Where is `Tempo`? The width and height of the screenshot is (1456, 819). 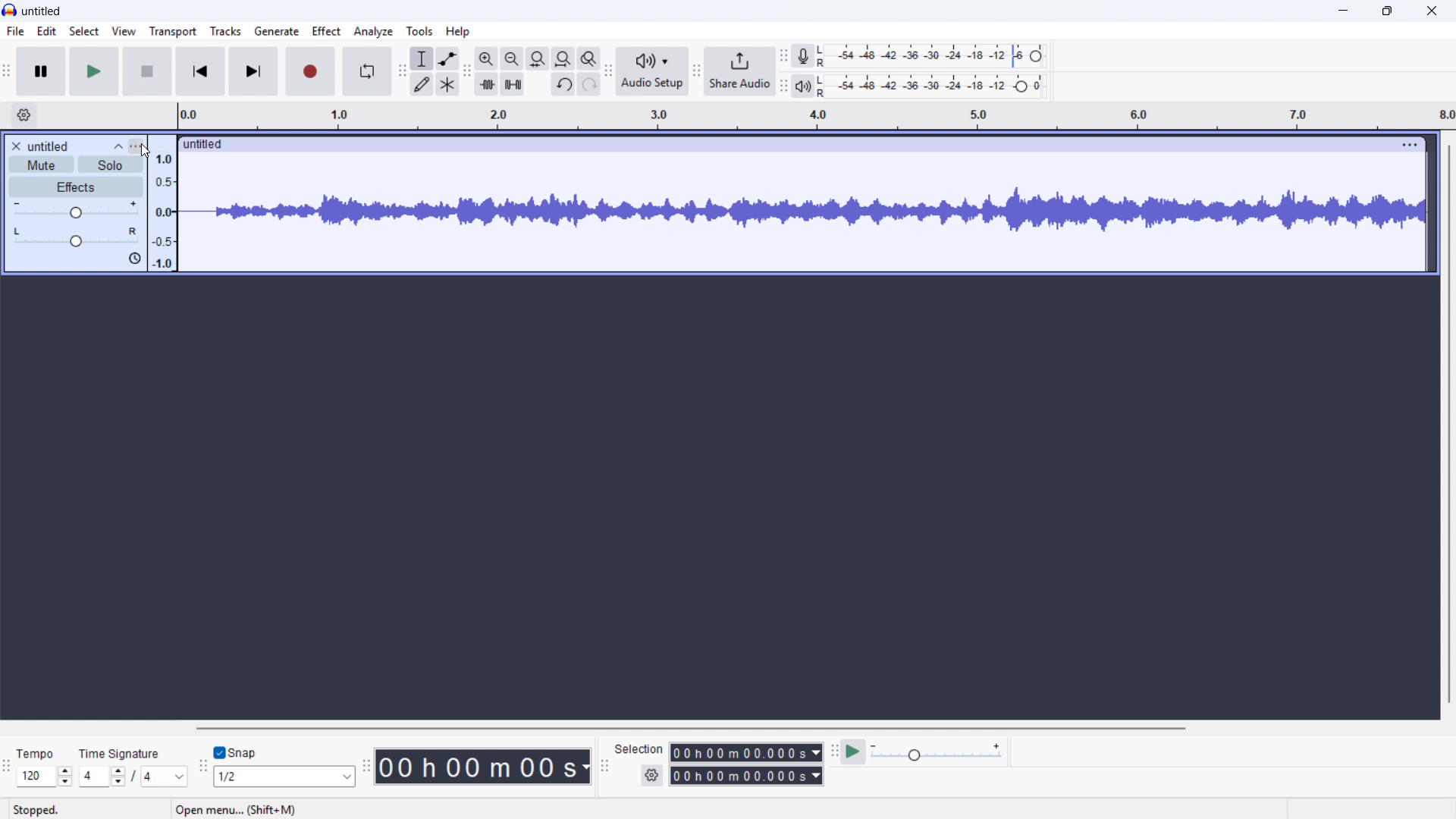 Tempo is located at coordinates (39, 754).